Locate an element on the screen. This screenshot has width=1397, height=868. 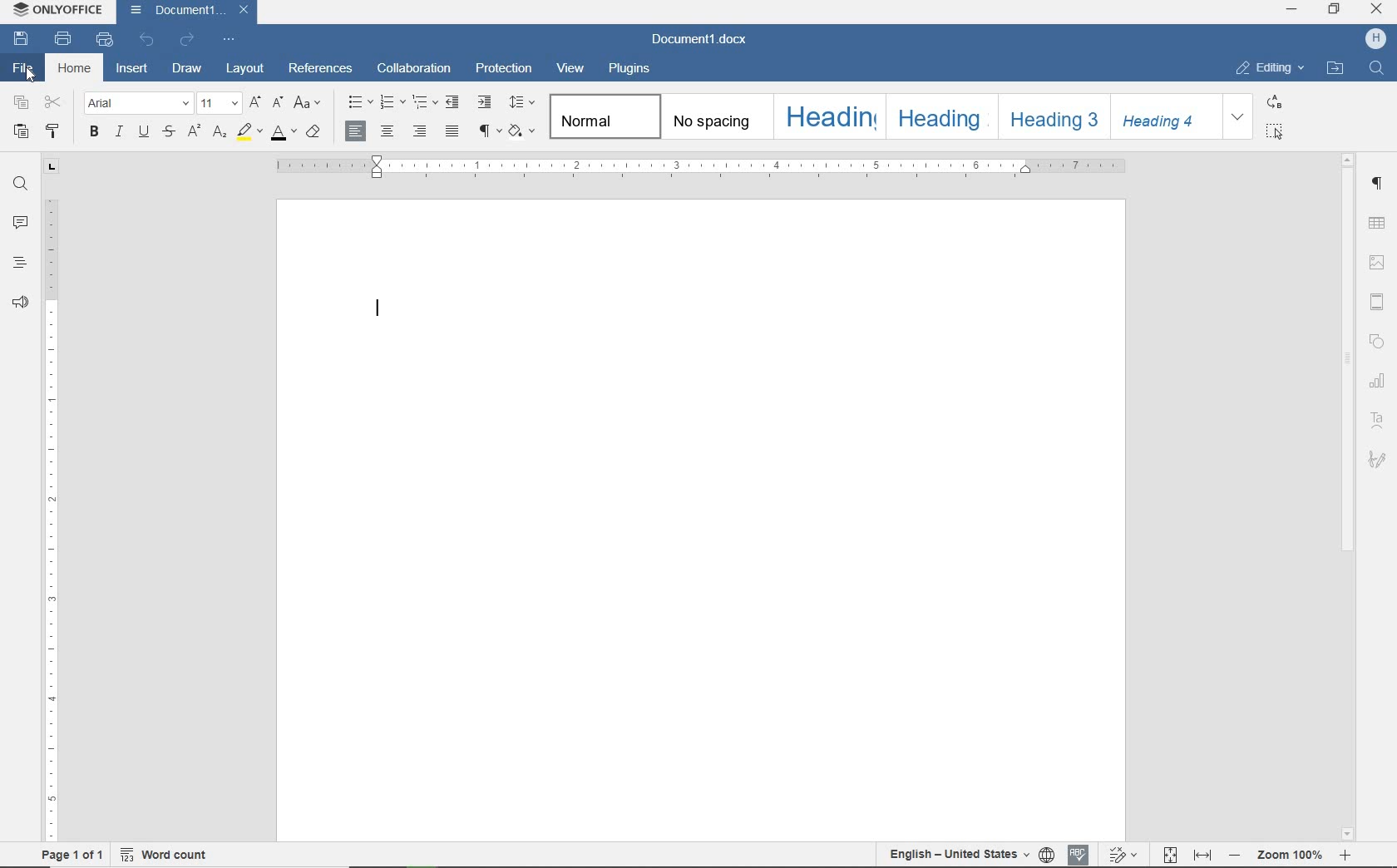
file is located at coordinates (21, 67).